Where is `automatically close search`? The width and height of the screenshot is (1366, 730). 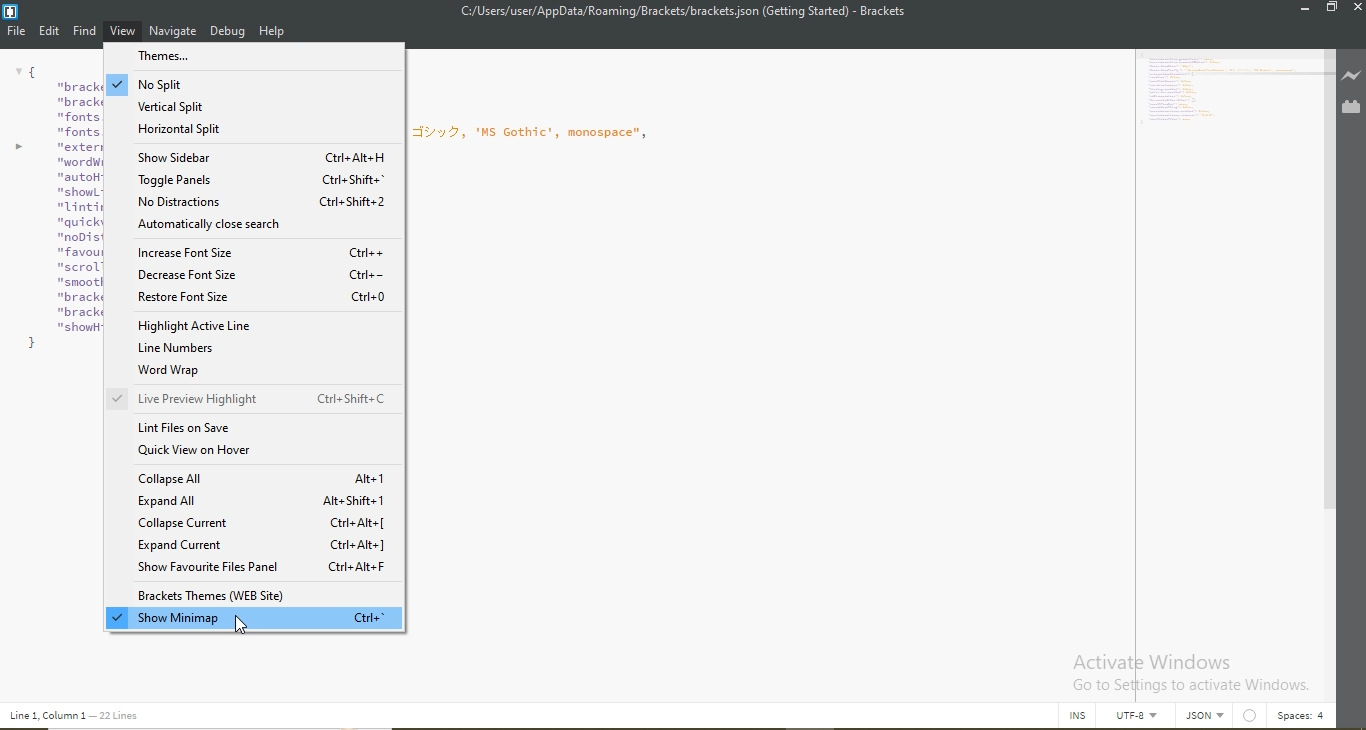 automatically close search is located at coordinates (249, 226).